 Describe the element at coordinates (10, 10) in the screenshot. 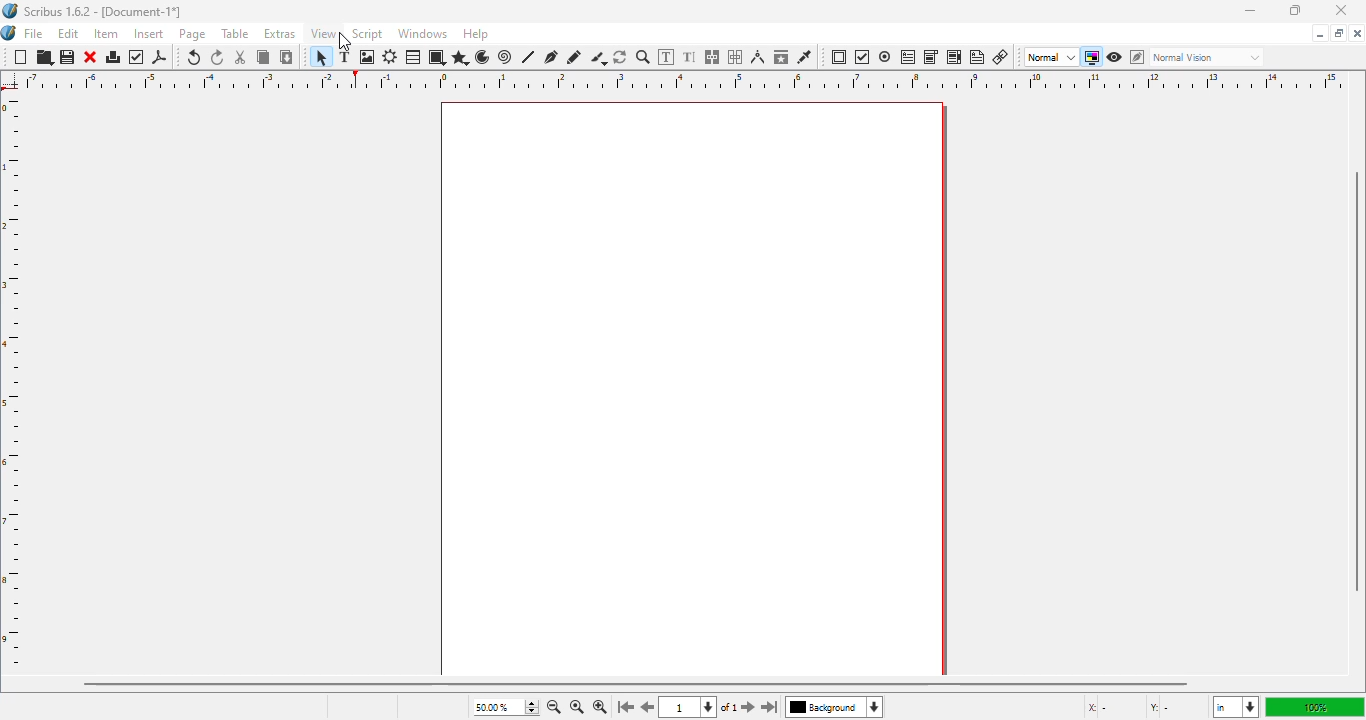

I see `logo` at that location.